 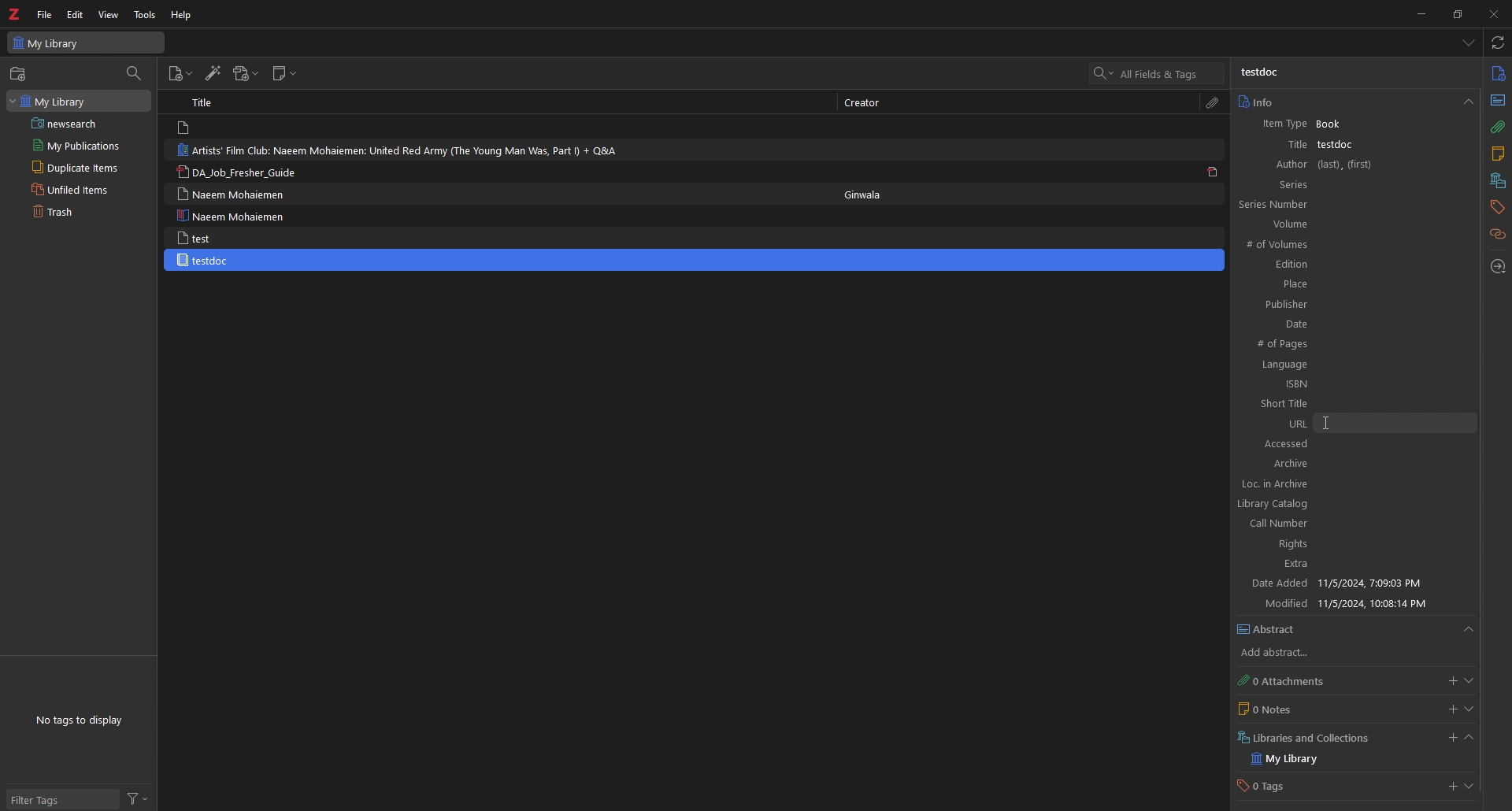 What do you see at coordinates (1497, 42) in the screenshot?
I see `sync with zotero.org` at bounding box center [1497, 42].